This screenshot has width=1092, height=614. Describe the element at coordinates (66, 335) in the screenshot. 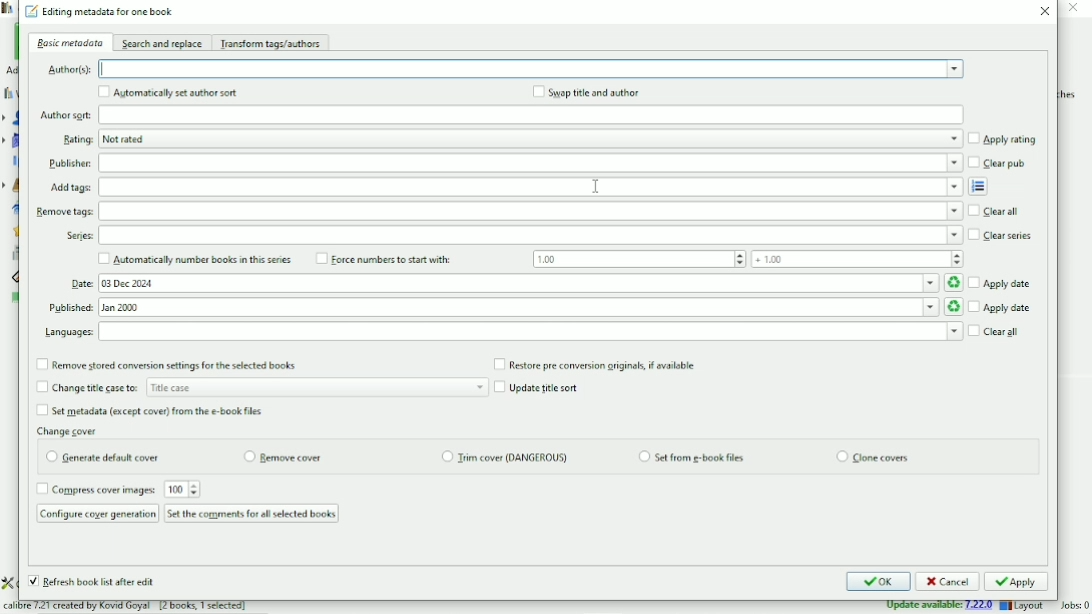

I see `Languages` at that location.